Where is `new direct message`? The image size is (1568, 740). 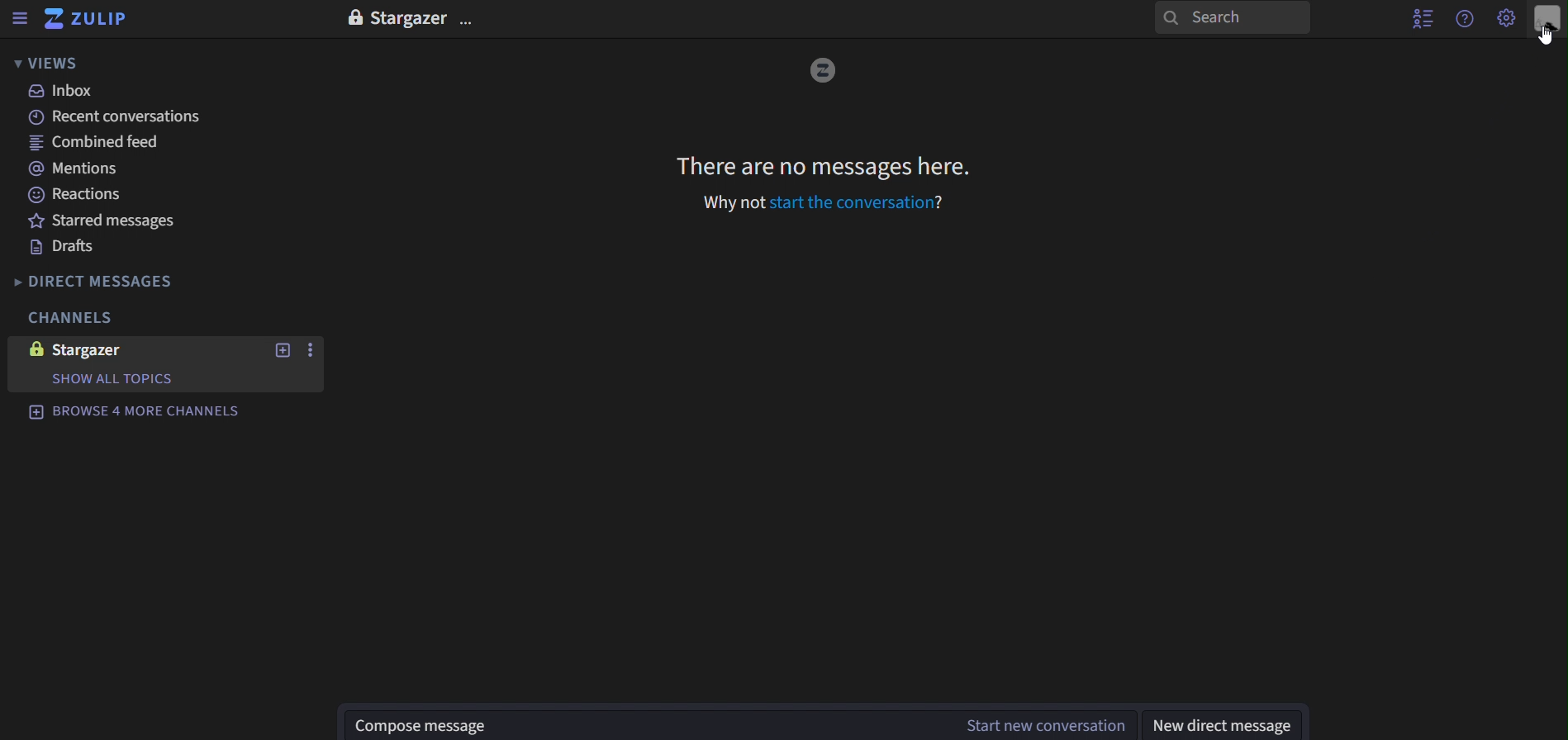
new direct message is located at coordinates (1224, 724).